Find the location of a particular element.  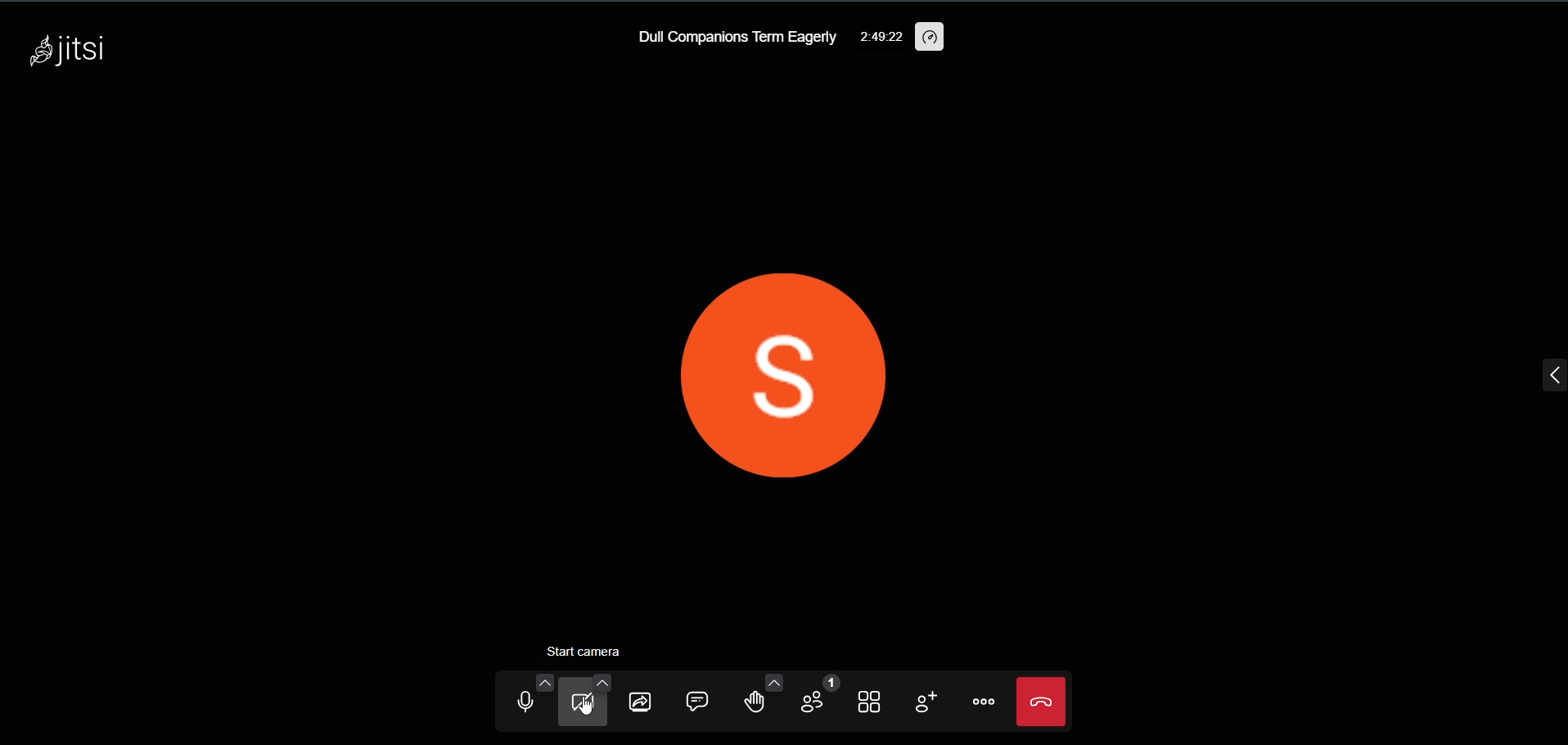

leave the meeting is located at coordinates (1039, 700).